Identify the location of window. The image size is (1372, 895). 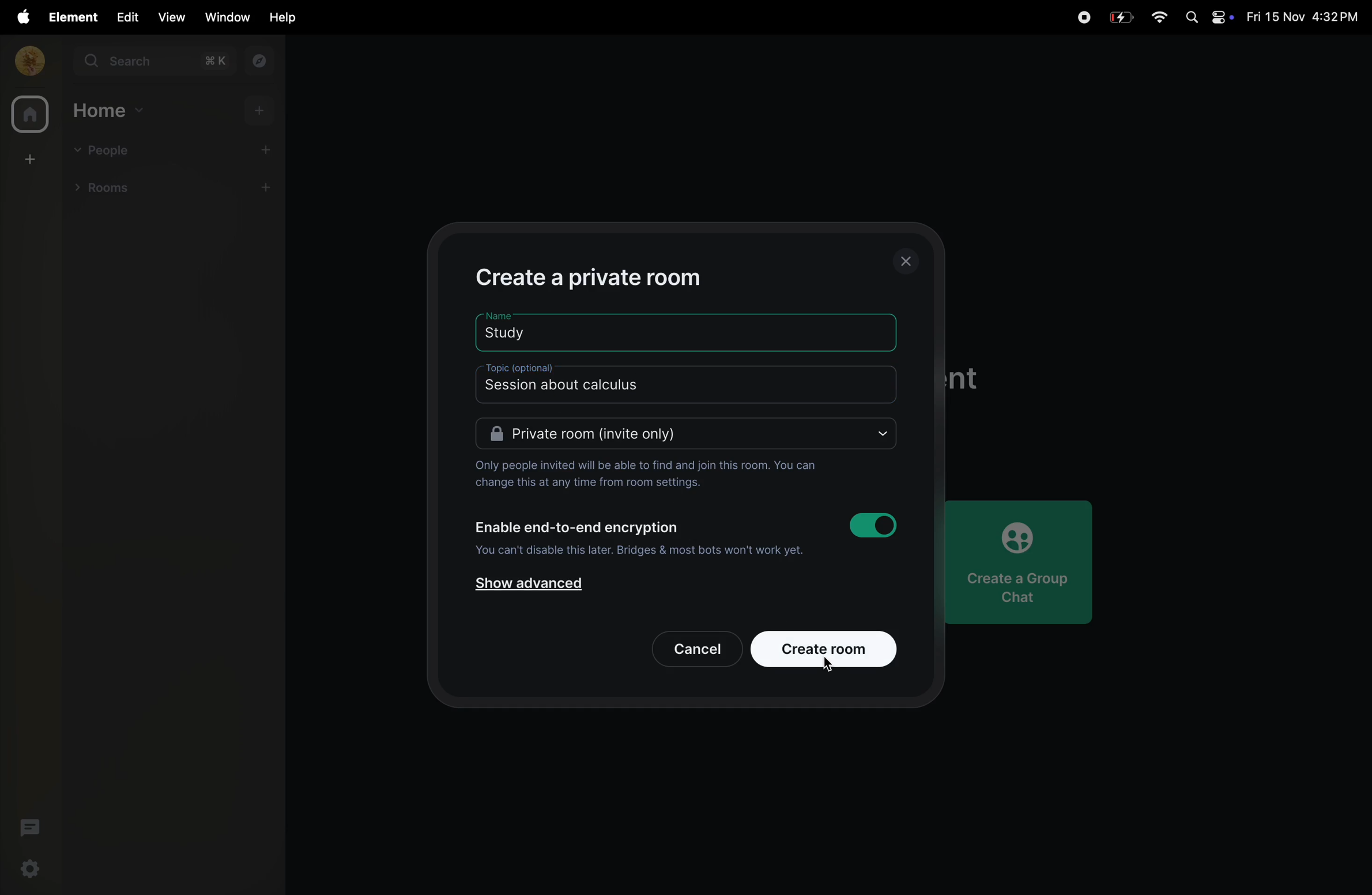
(224, 17).